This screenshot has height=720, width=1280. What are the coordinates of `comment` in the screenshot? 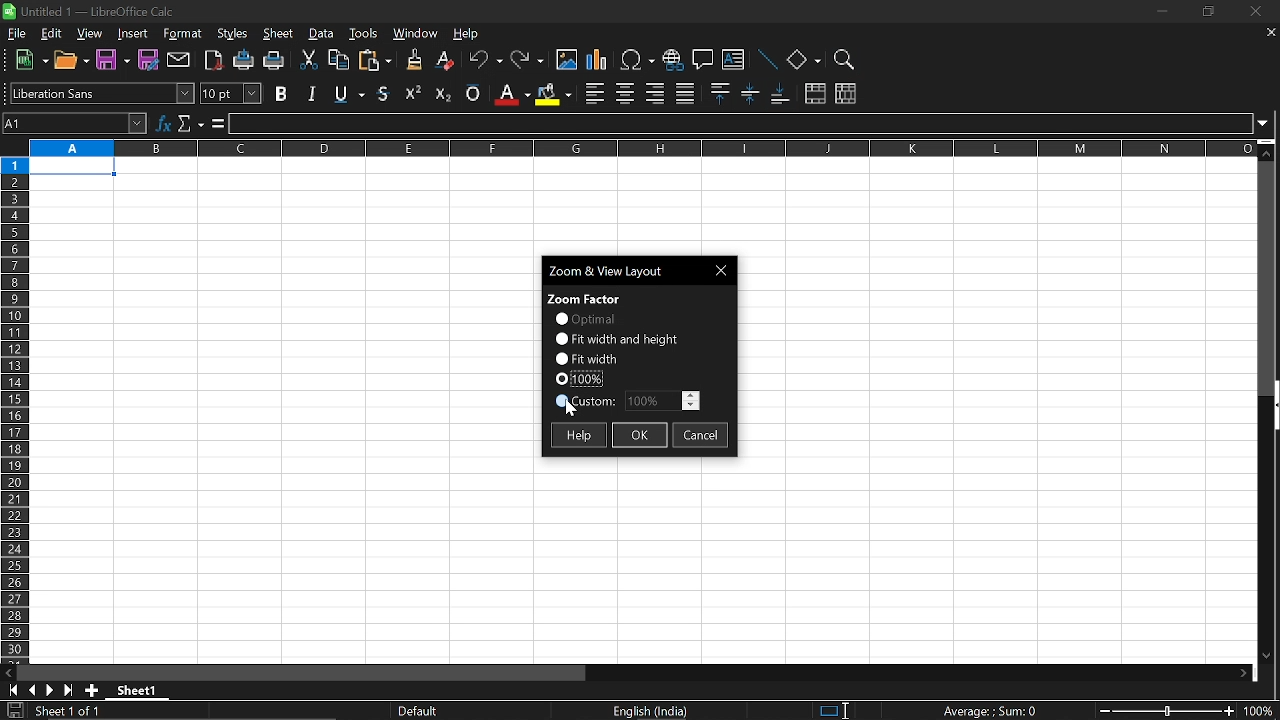 It's located at (703, 62).